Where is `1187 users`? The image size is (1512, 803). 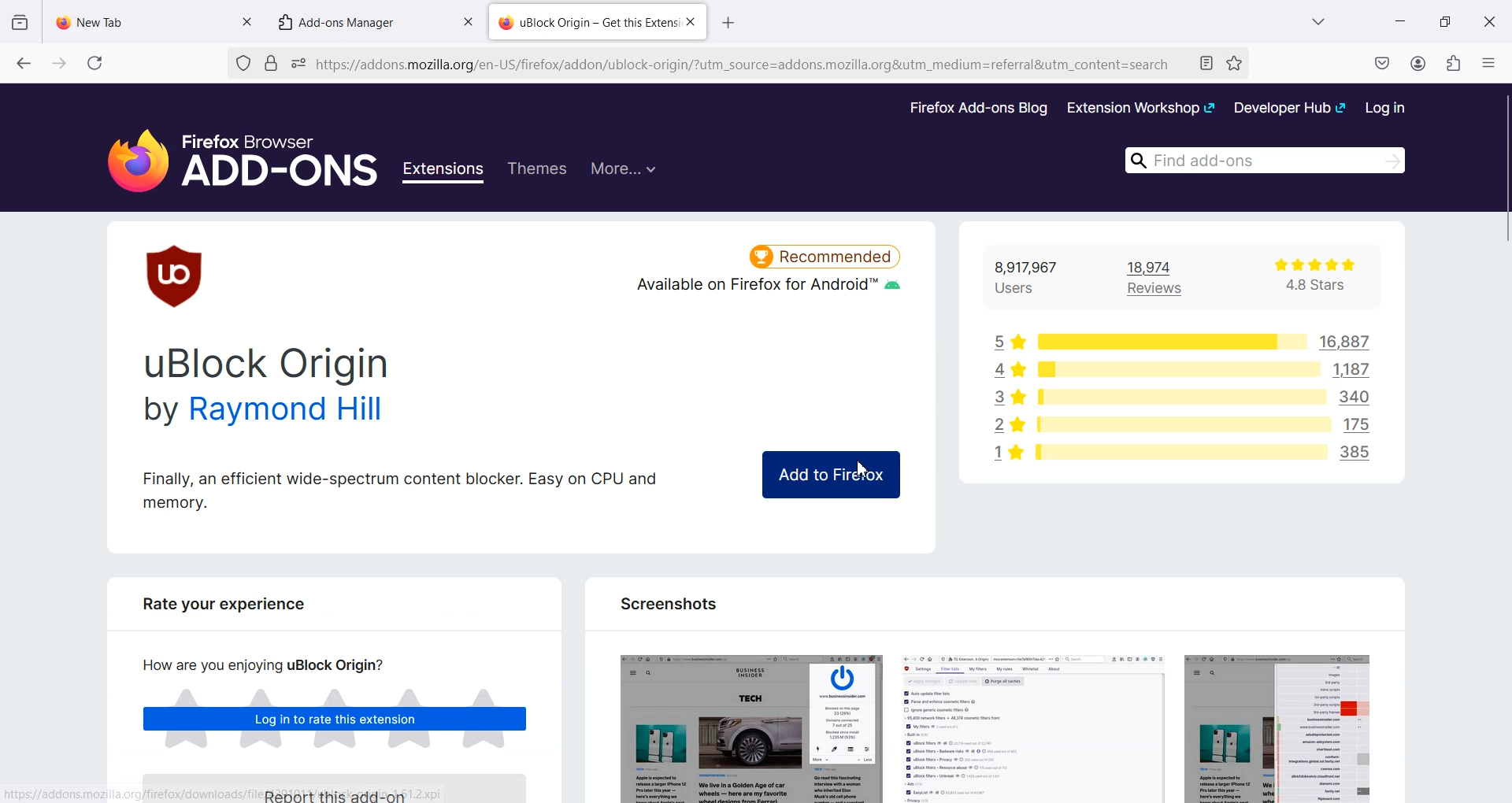 1187 users is located at coordinates (1358, 370).